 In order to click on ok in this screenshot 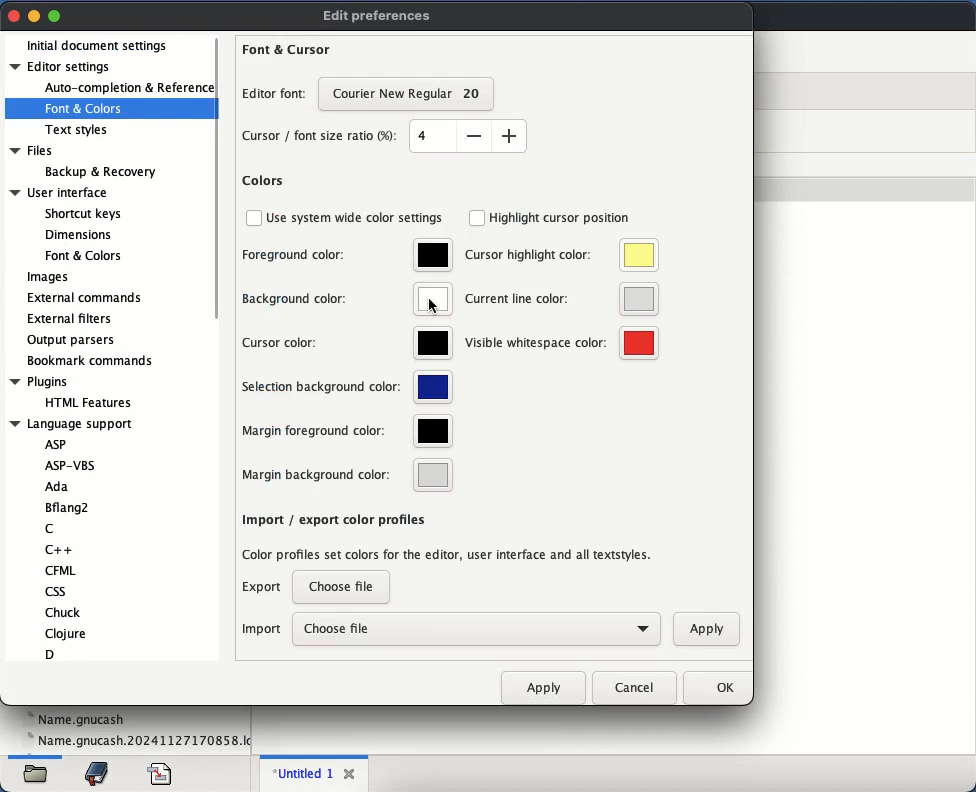, I will do `click(720, 687)`.